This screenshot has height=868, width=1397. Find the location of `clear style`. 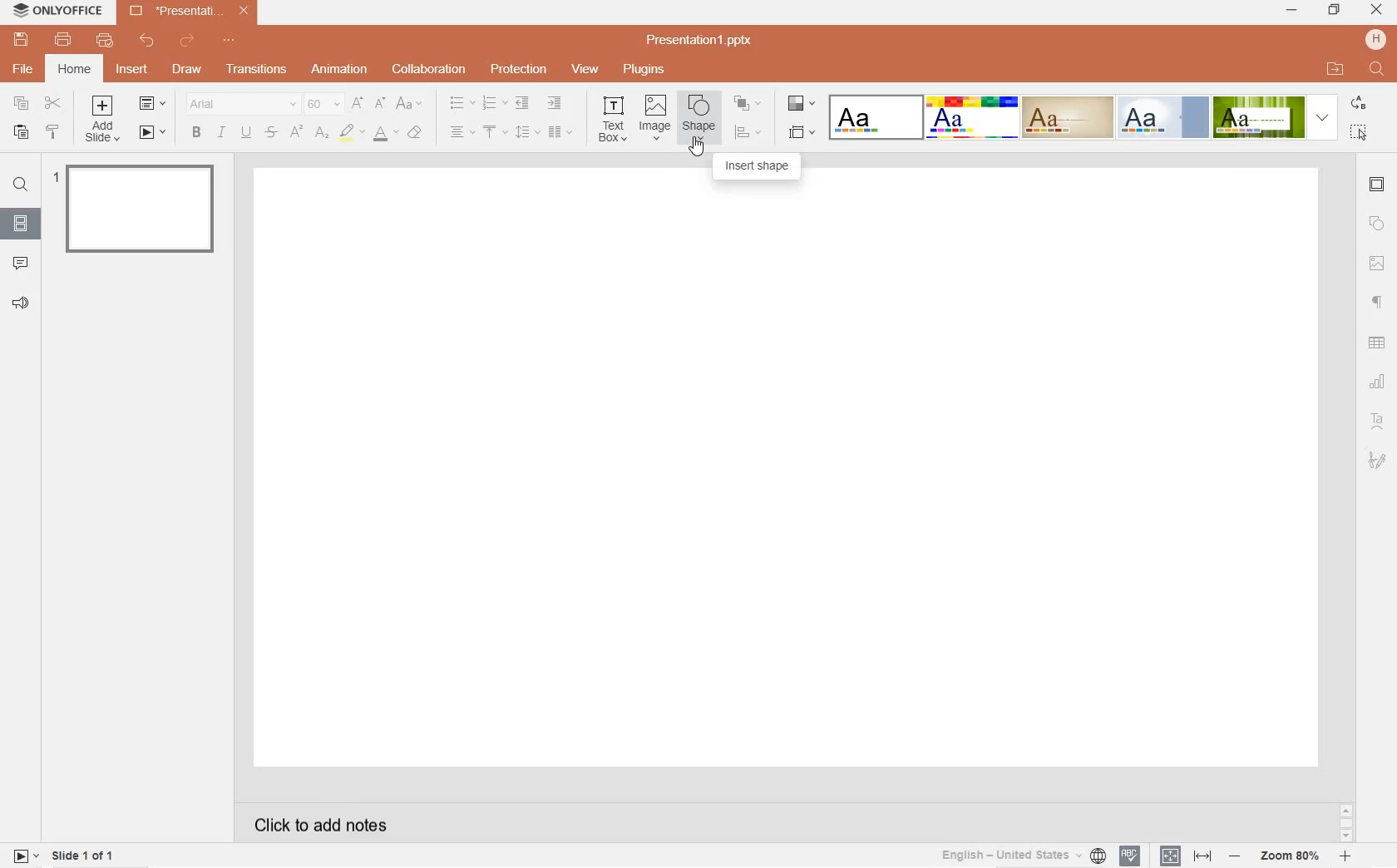

clear style is located at coordinates (417, 133).